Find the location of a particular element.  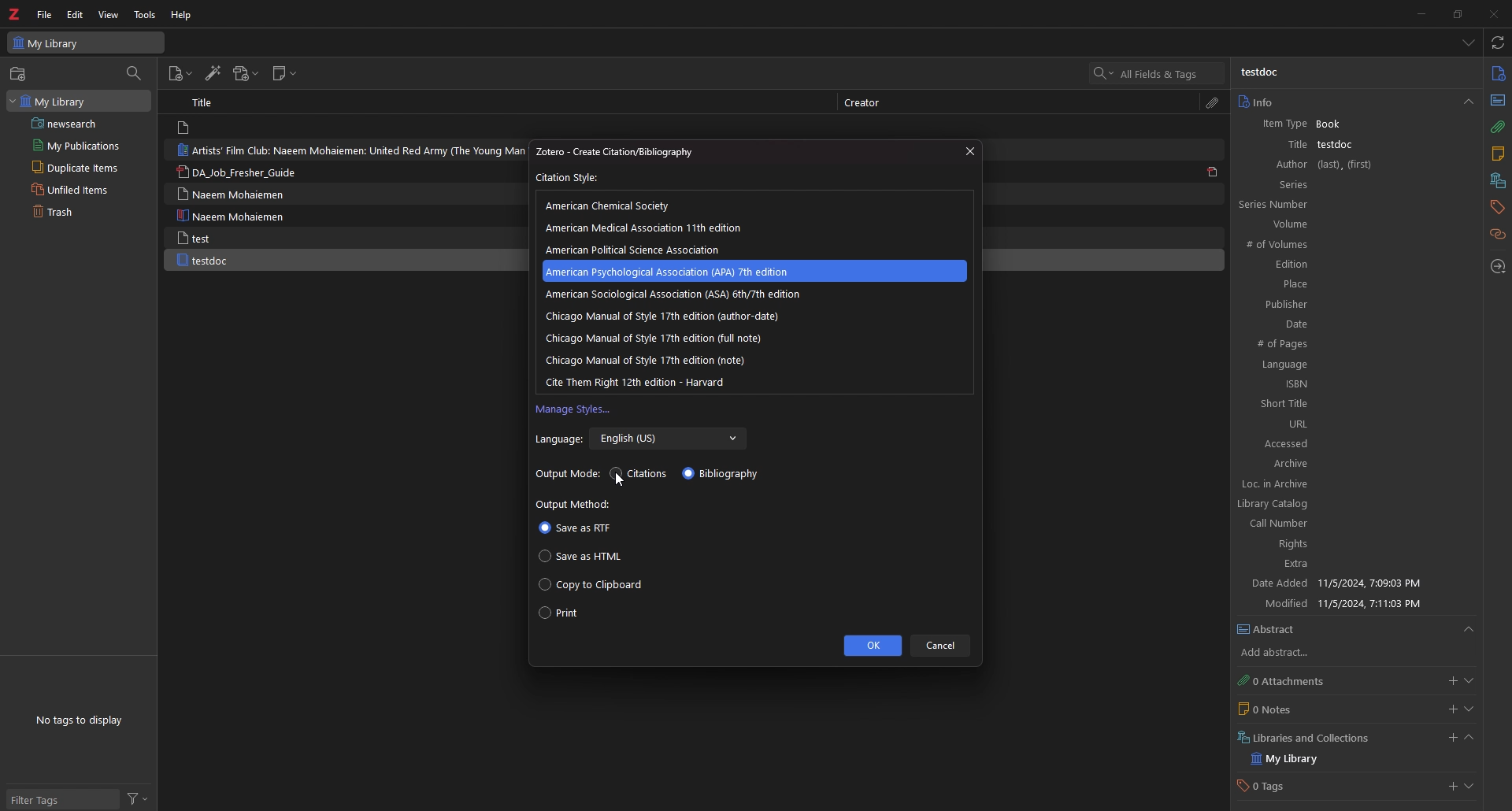

American Psychological Association (APA) 7th edition is located at coordinates (680, 271).